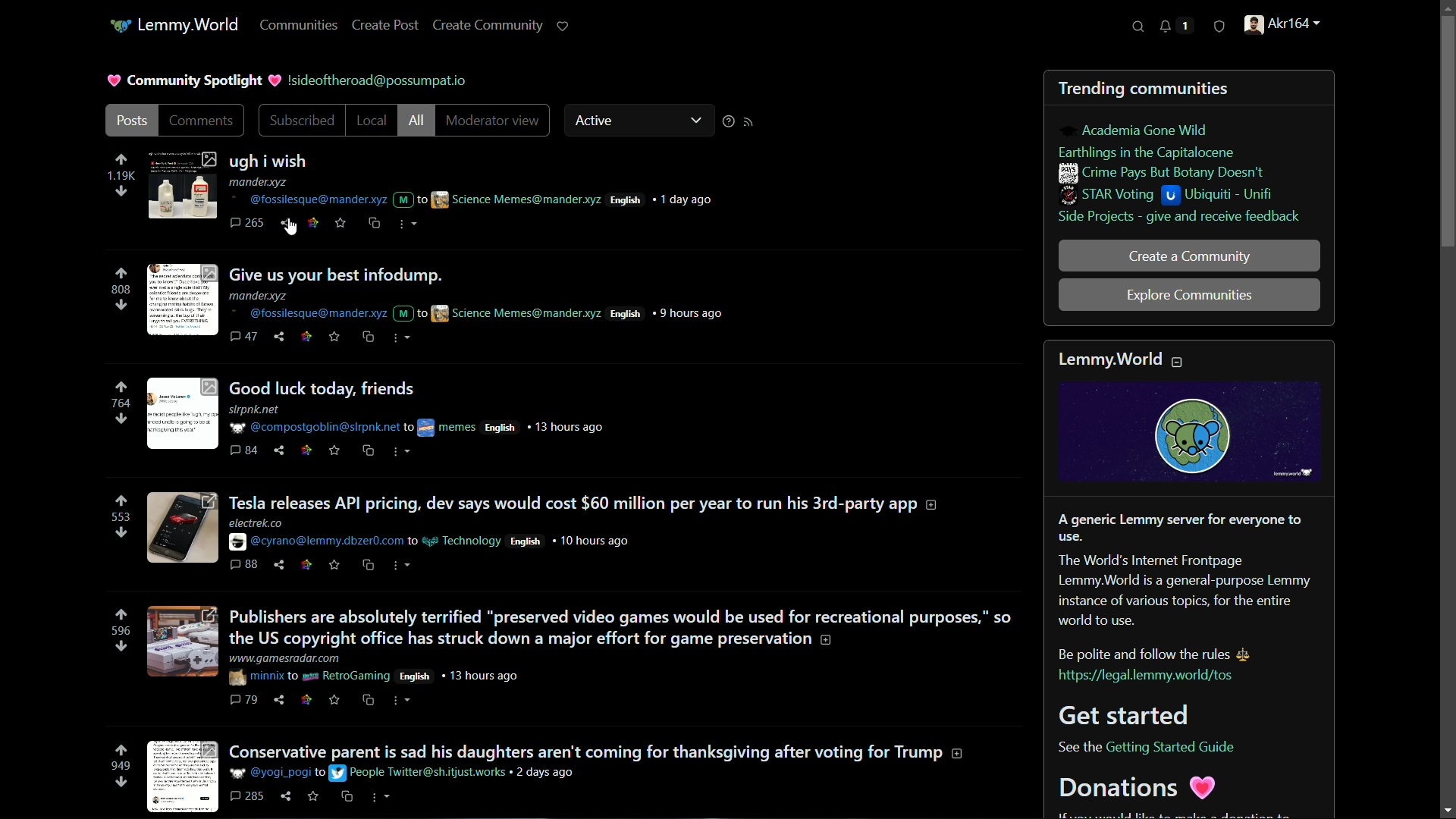  Describe the element at coordinates (416, 121) in the screenshot. I see `all` at that location.